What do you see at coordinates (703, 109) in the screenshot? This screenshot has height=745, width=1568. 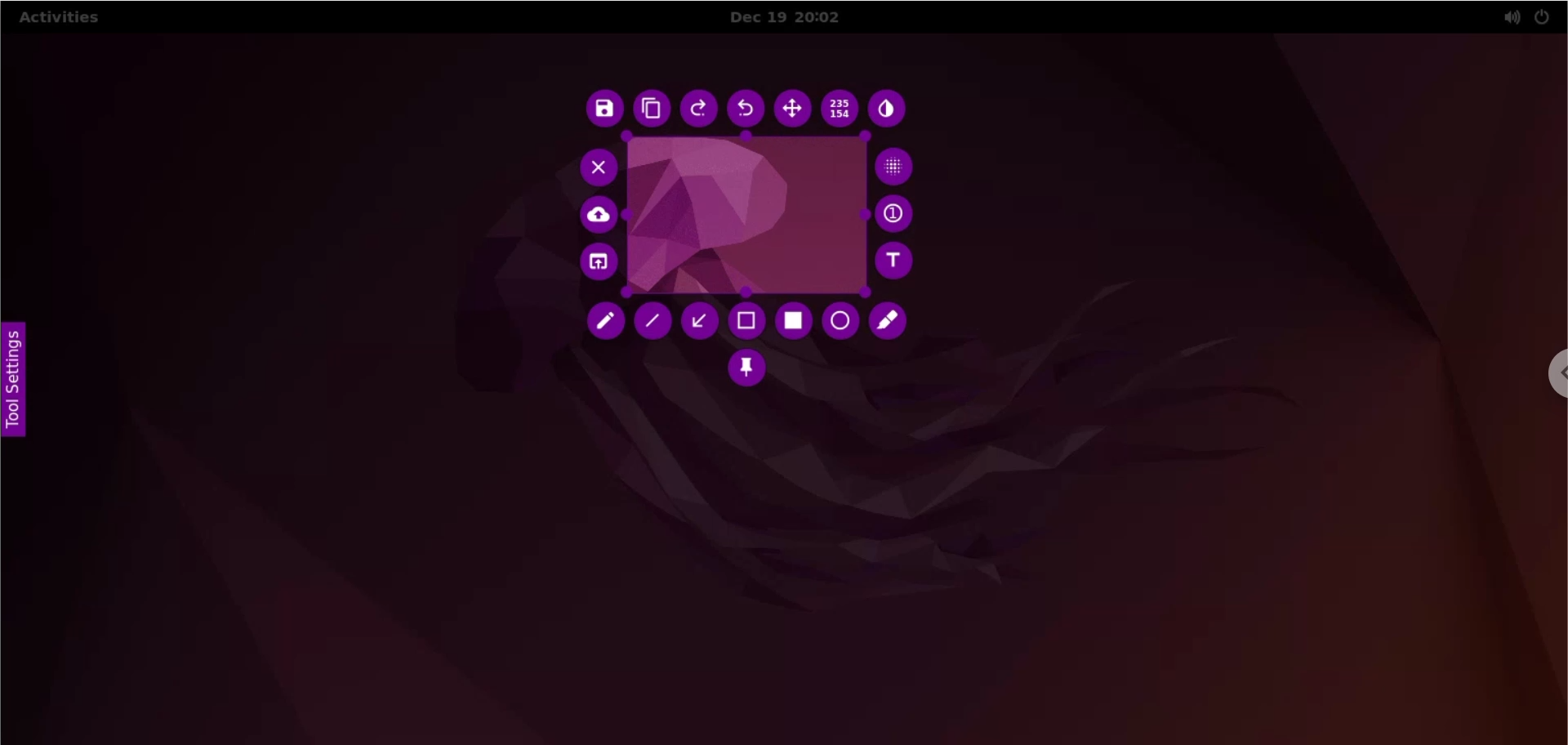 I see `redo` at bounding box center [703, 109].